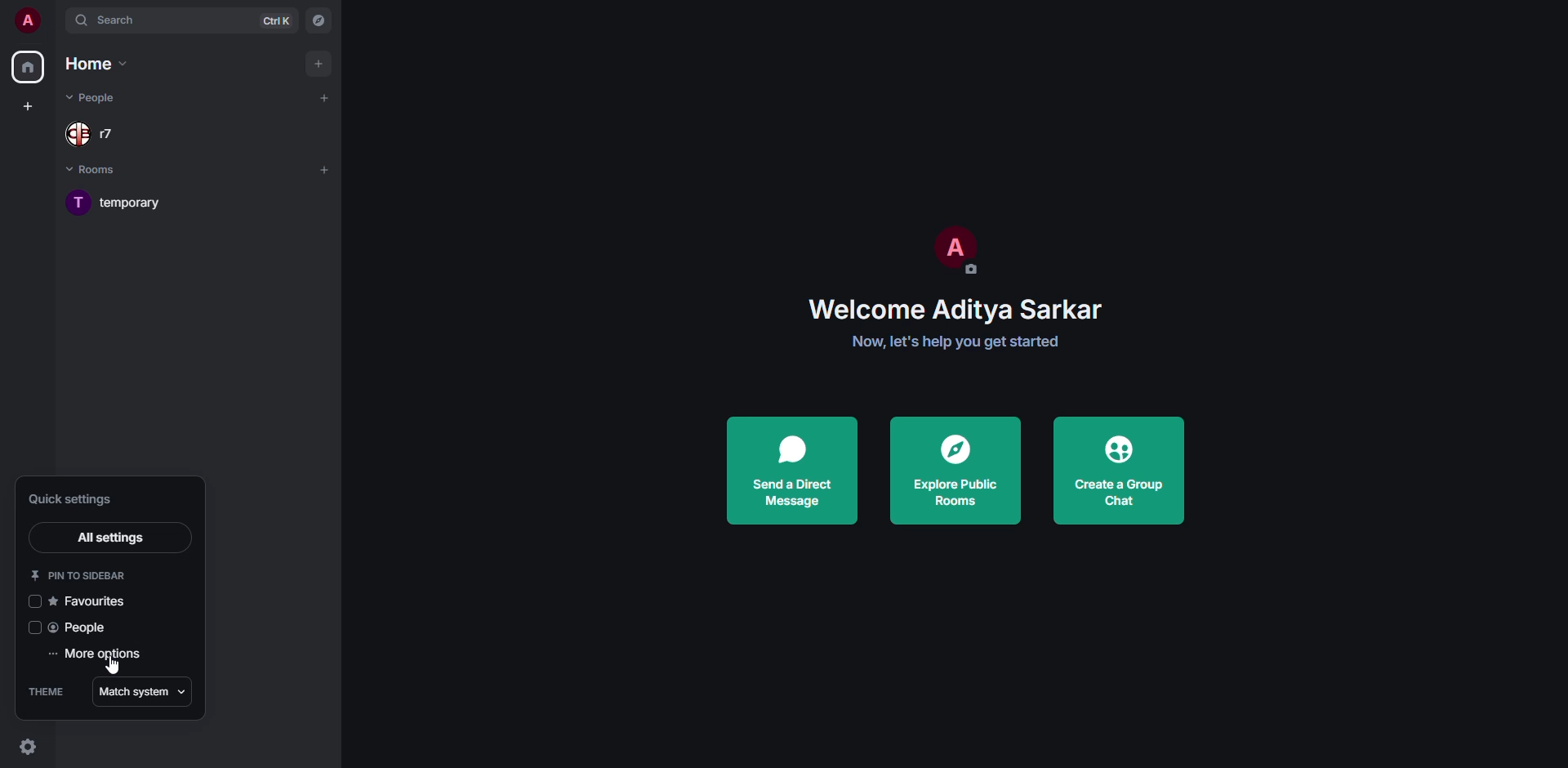  I want to click on Now, let's help you get started, so click(955, 343).